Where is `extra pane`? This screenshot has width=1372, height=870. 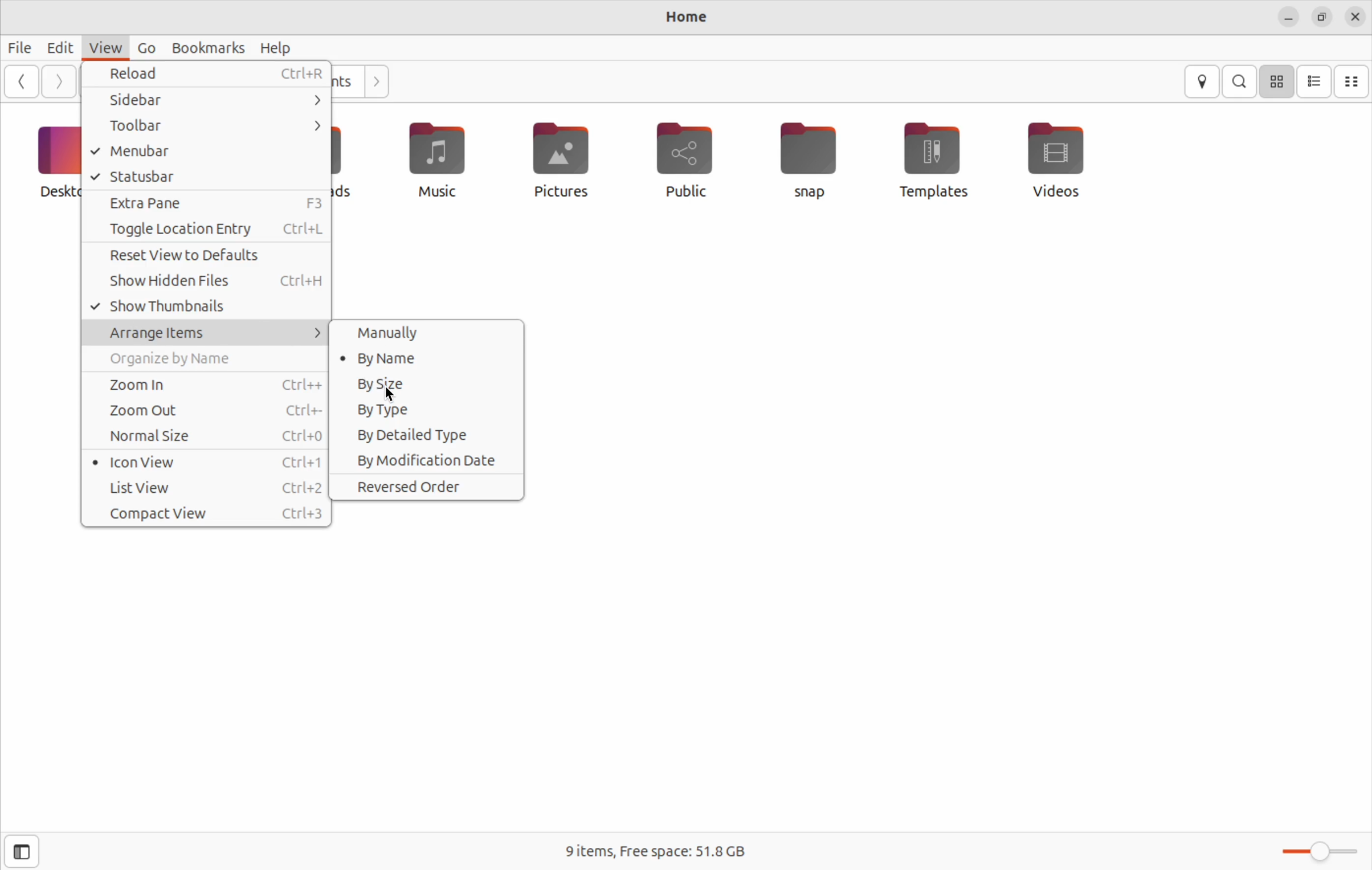
extra pane is located at coordinates (205, 205).